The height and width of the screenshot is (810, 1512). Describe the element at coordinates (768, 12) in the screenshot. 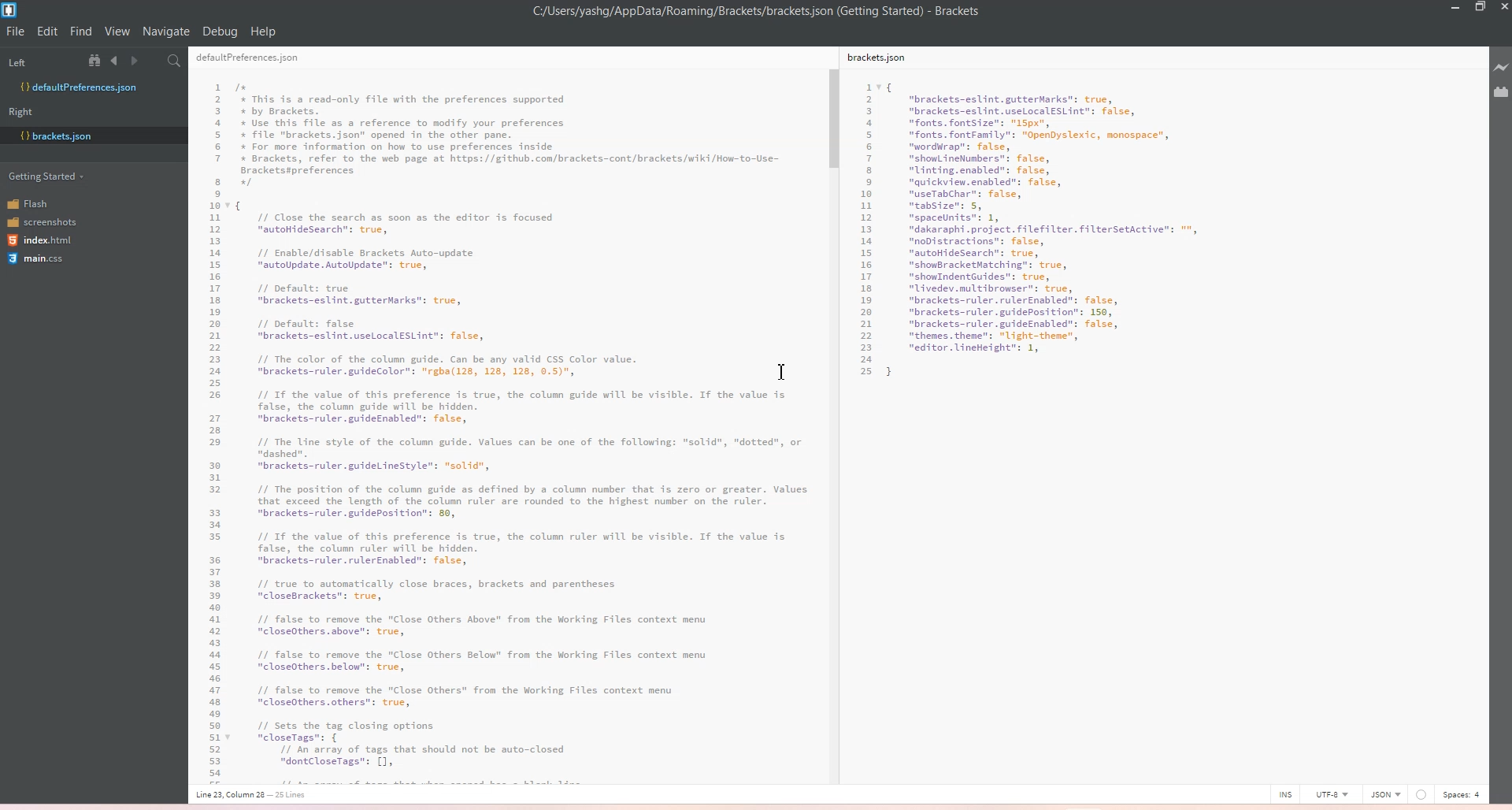

I see `C/Users/yashg/AppData/Roaming/Brackets/brackets json (Getting Started) - Brackets` at that location.